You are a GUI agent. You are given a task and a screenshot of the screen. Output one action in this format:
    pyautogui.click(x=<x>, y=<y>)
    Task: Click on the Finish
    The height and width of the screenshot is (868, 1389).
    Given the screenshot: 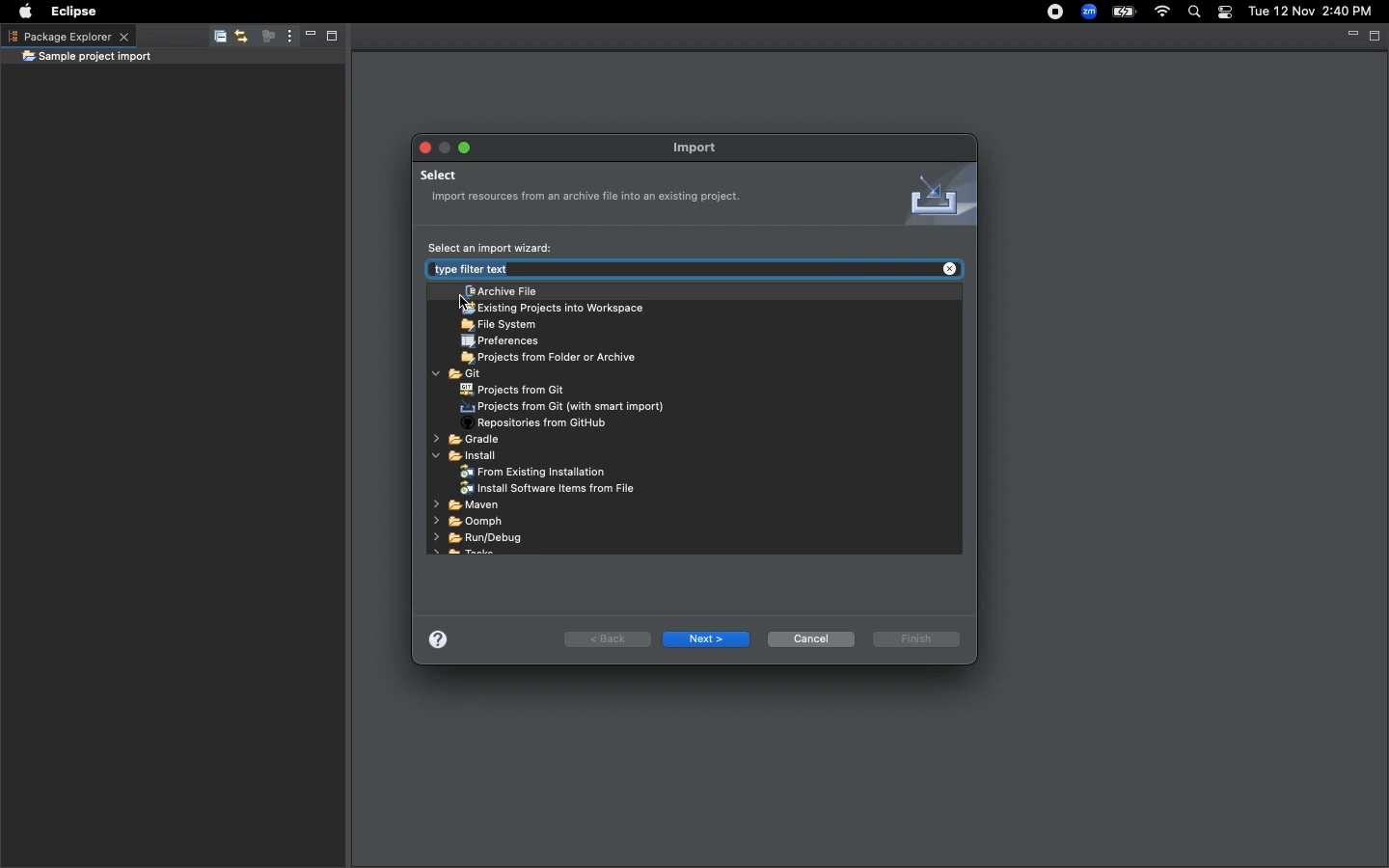 What is the action you would take?
    pyautogui.click(x=917, y=638)
    